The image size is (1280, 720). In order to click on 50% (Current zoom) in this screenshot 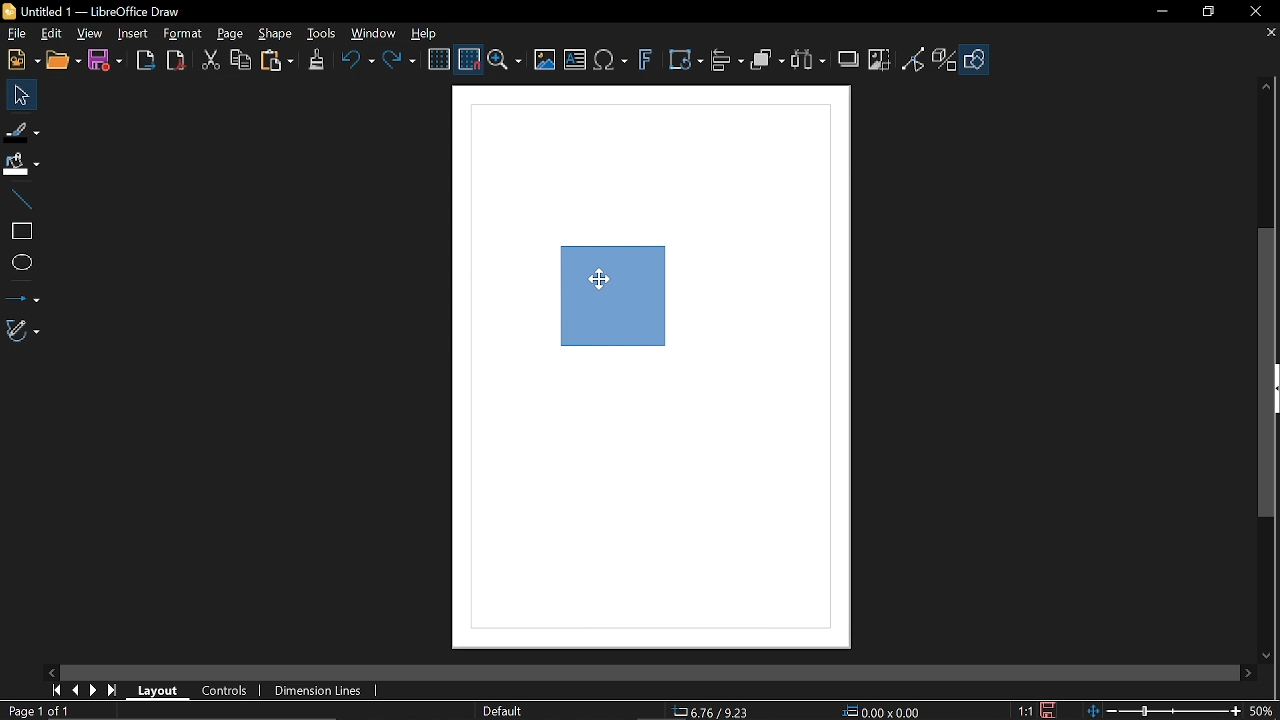, I will do `click(1262, 709)`.